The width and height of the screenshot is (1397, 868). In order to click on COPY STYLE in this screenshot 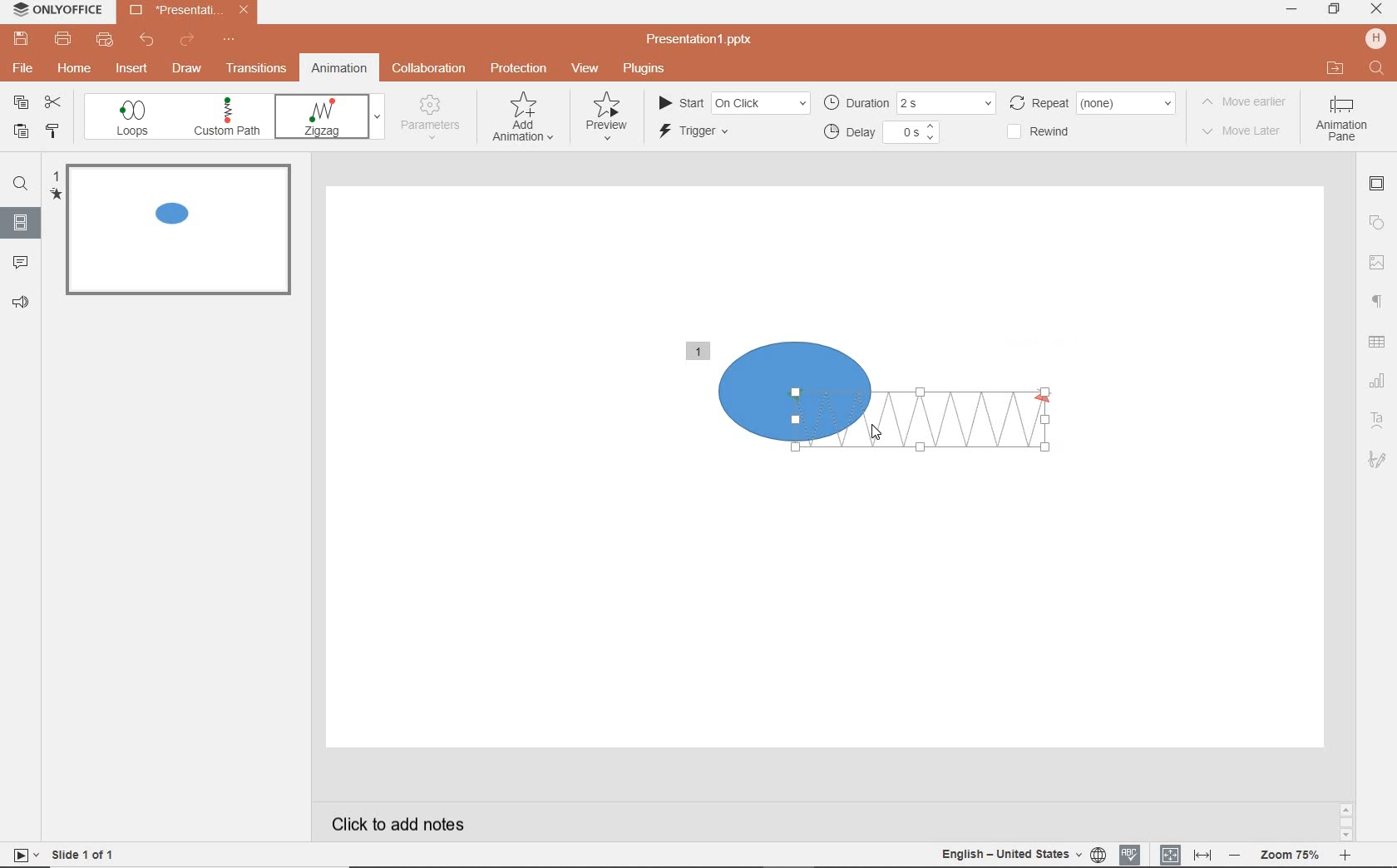, I will do `click(53, 131)`.